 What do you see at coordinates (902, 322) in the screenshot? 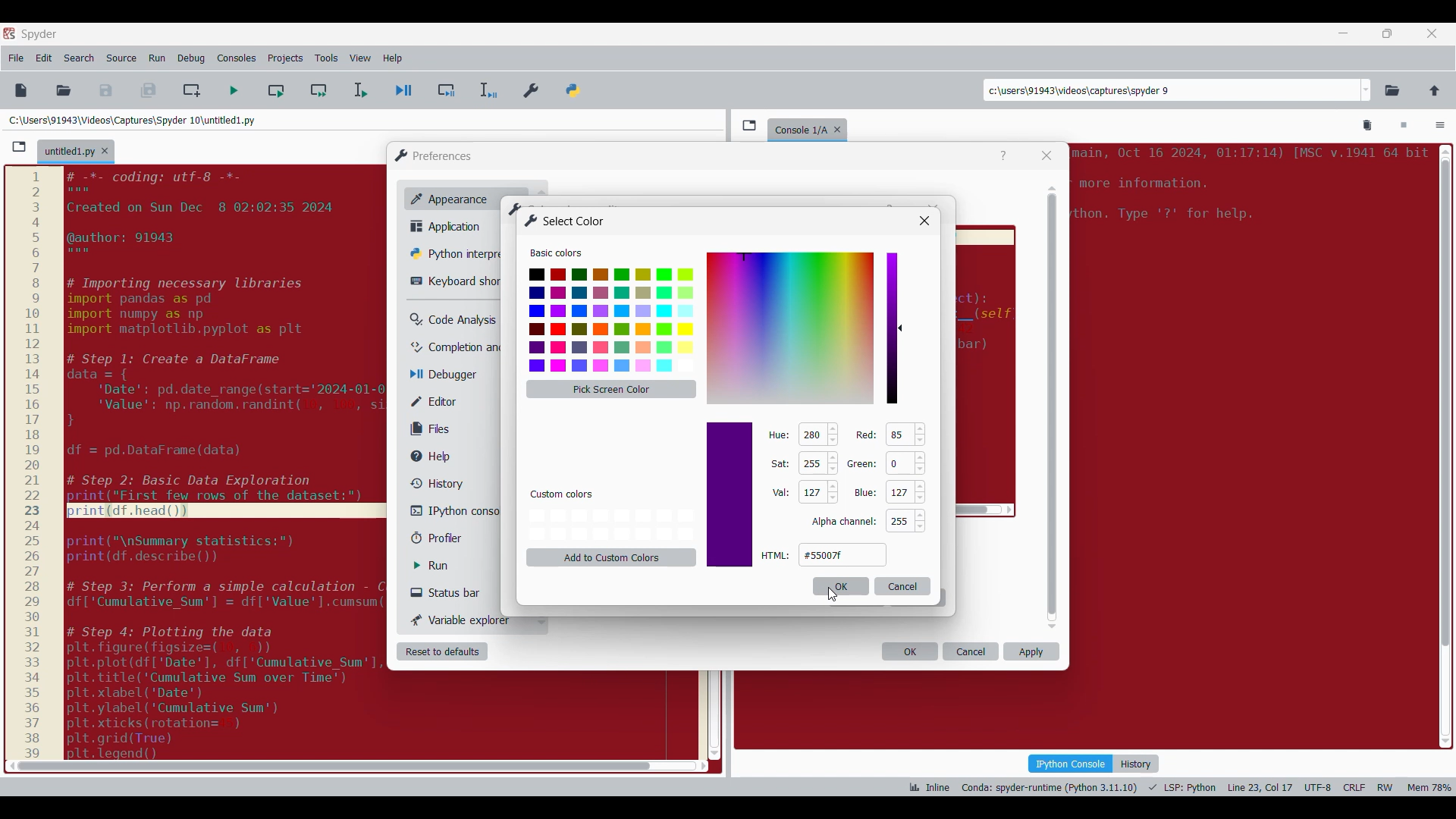
I see `Indiacte color position in color scale` at bounding box center [902, 322].